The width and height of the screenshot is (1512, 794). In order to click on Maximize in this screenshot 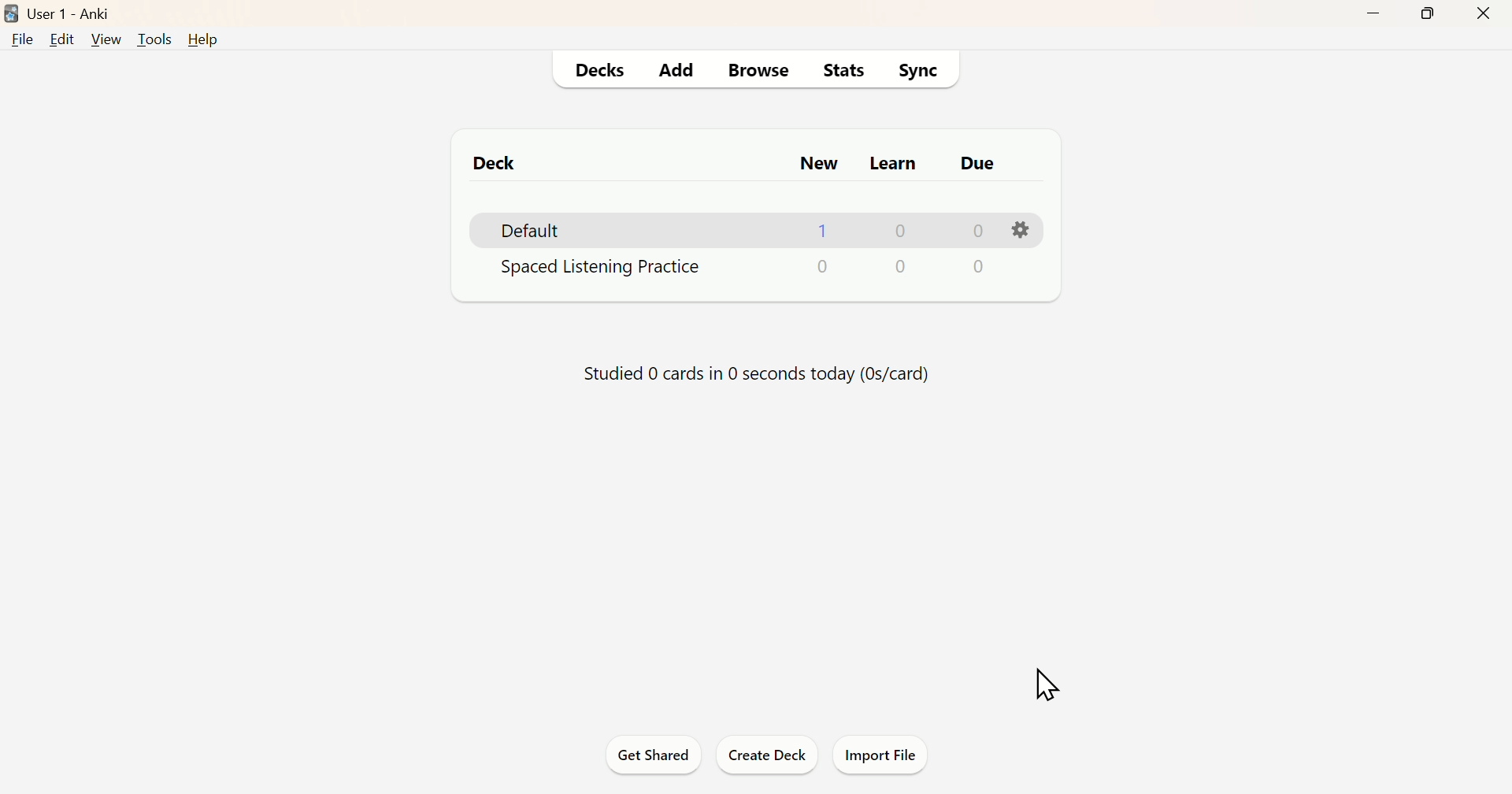, I will do `click(1432, 15)`.